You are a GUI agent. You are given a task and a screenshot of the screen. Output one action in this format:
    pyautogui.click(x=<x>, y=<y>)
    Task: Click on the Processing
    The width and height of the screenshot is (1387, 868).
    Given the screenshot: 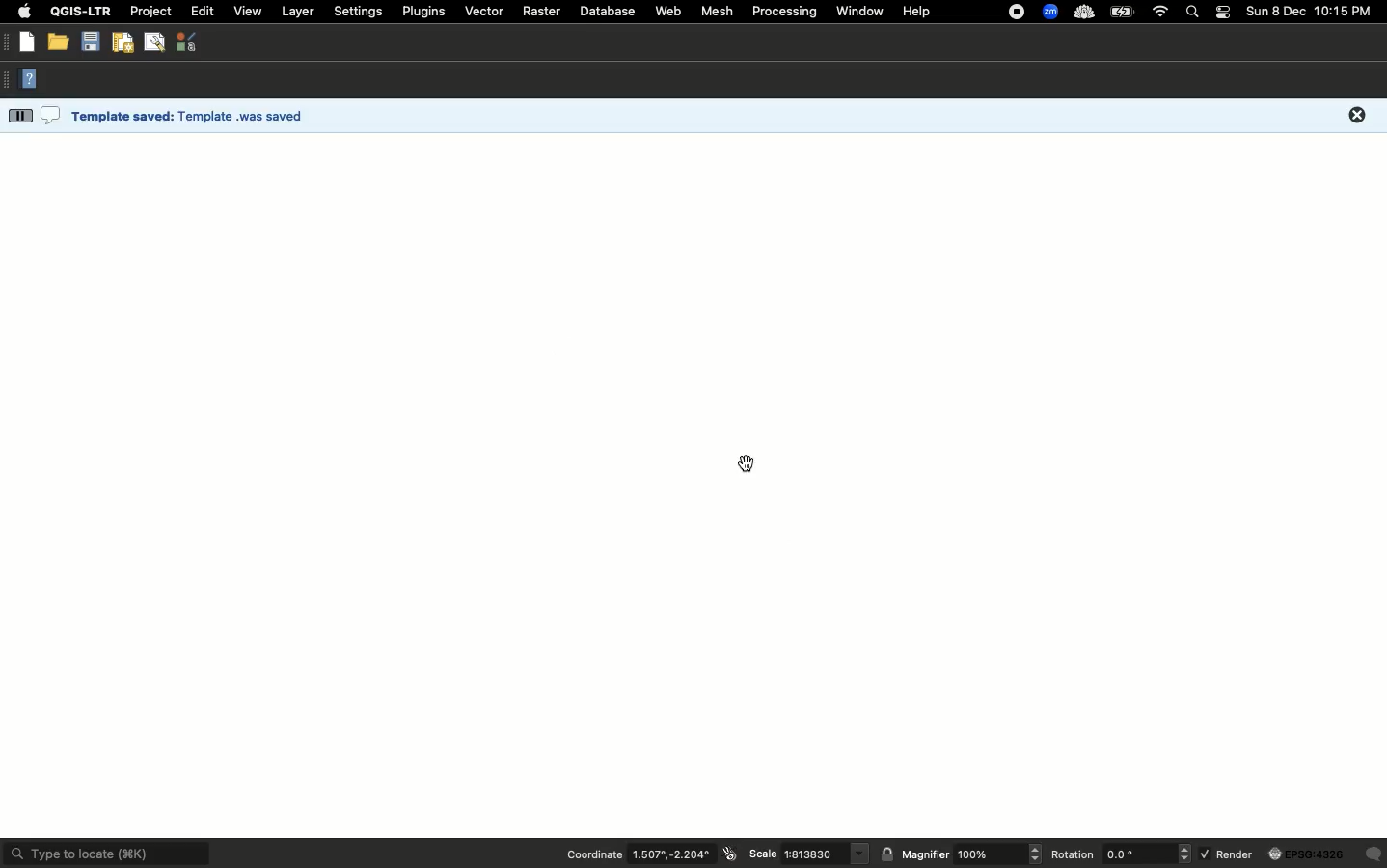 What is the action you would take?
    pyautogui.click(x=784, y=10)
    